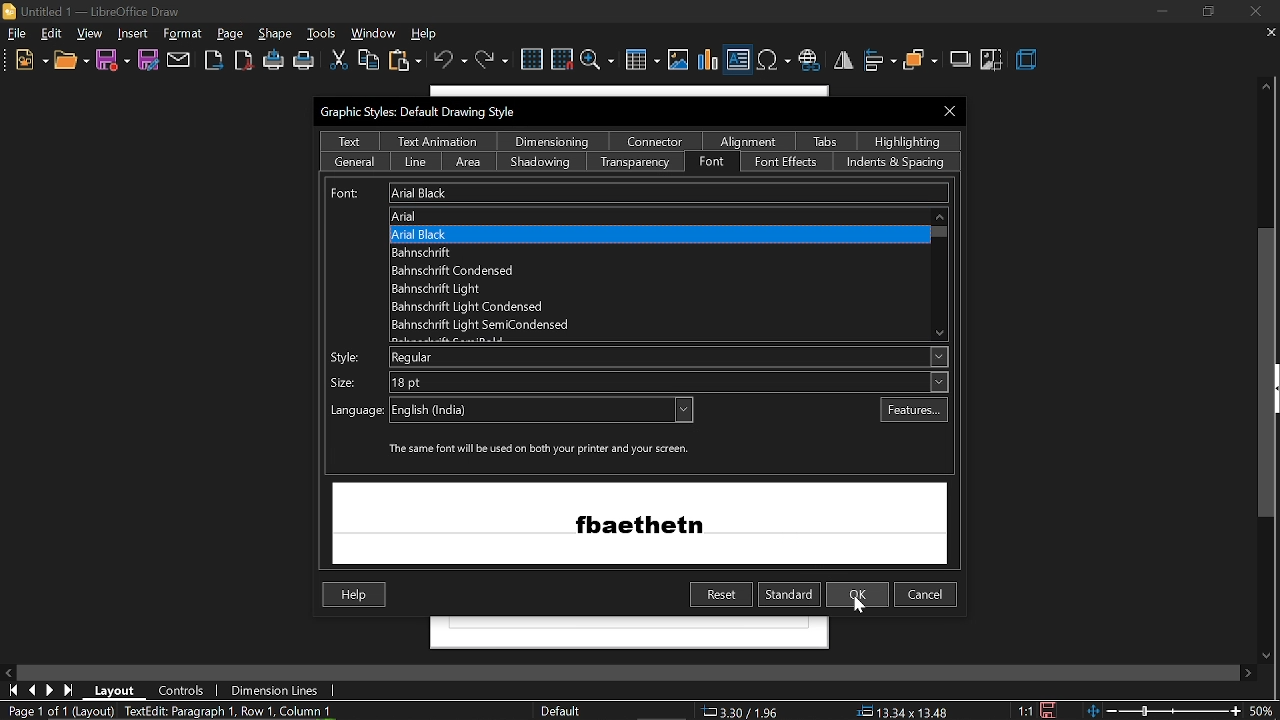 The image size is (1280, 720). Describe the element at coordinates (115, 691) in the screenshot. I see `layout` at that location.